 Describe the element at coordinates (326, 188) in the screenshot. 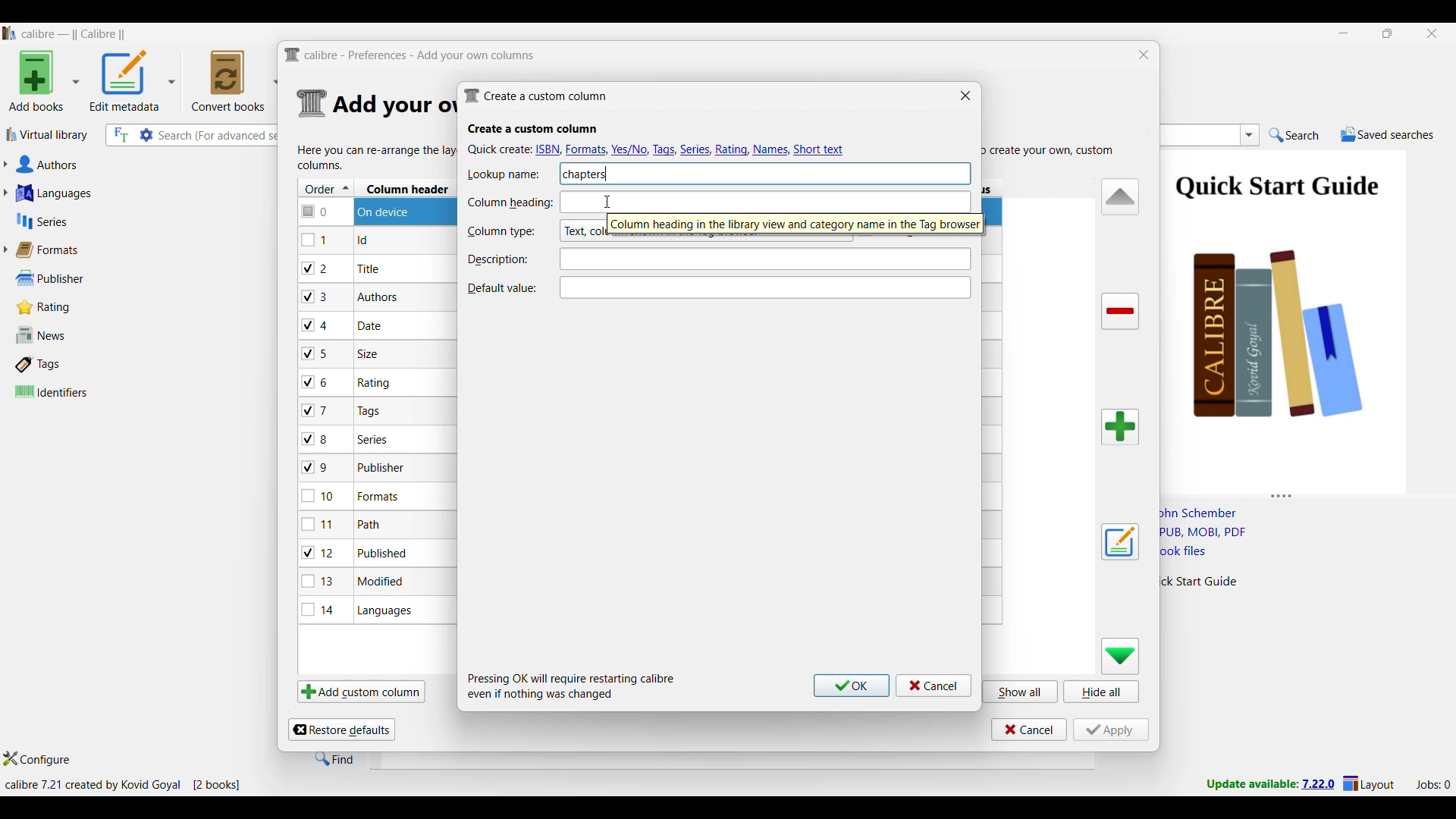

I see `Order column, current sorting` at that location.